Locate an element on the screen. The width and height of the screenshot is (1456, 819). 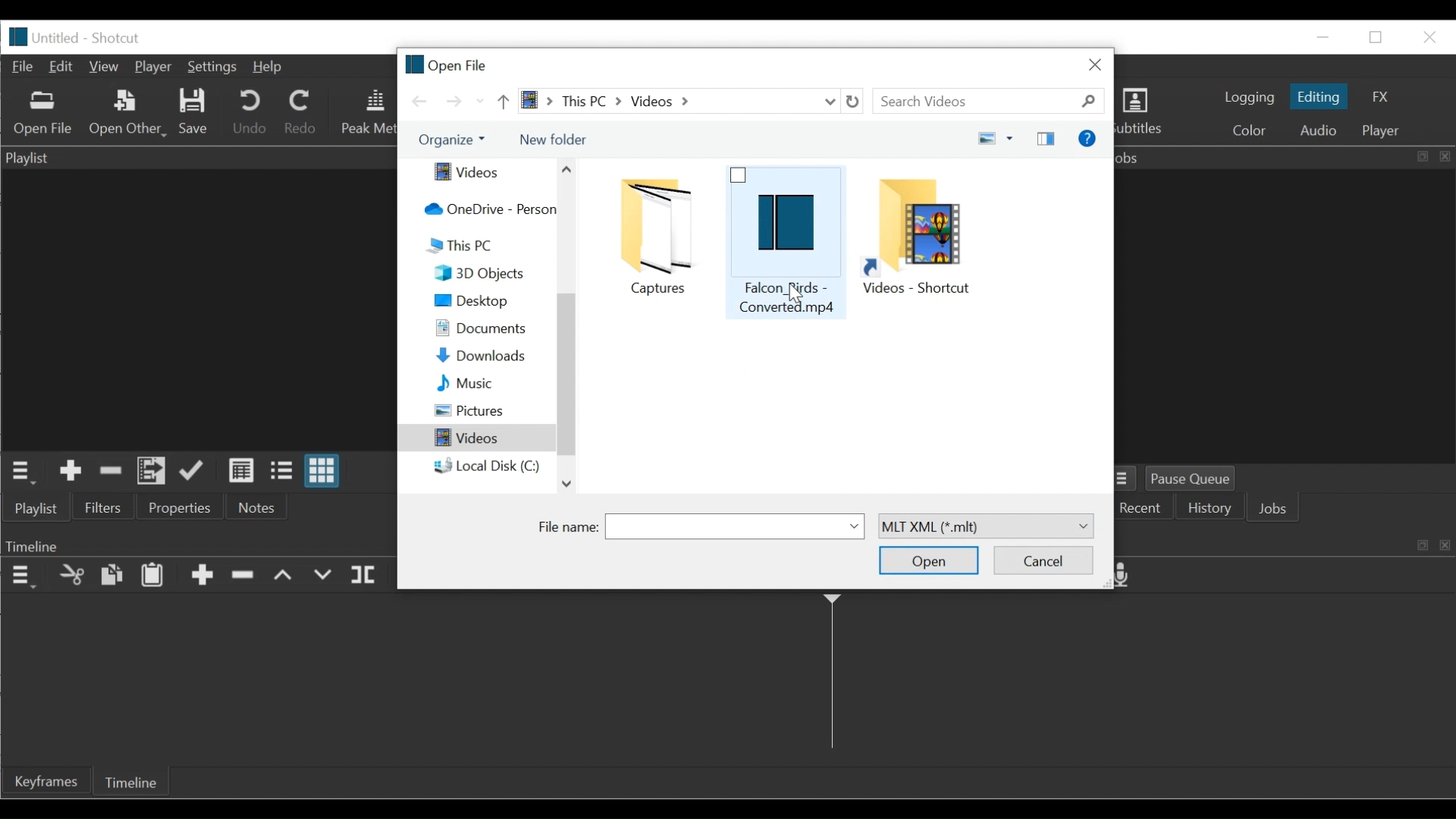
Open Other File is located at coordinates (43, 114).